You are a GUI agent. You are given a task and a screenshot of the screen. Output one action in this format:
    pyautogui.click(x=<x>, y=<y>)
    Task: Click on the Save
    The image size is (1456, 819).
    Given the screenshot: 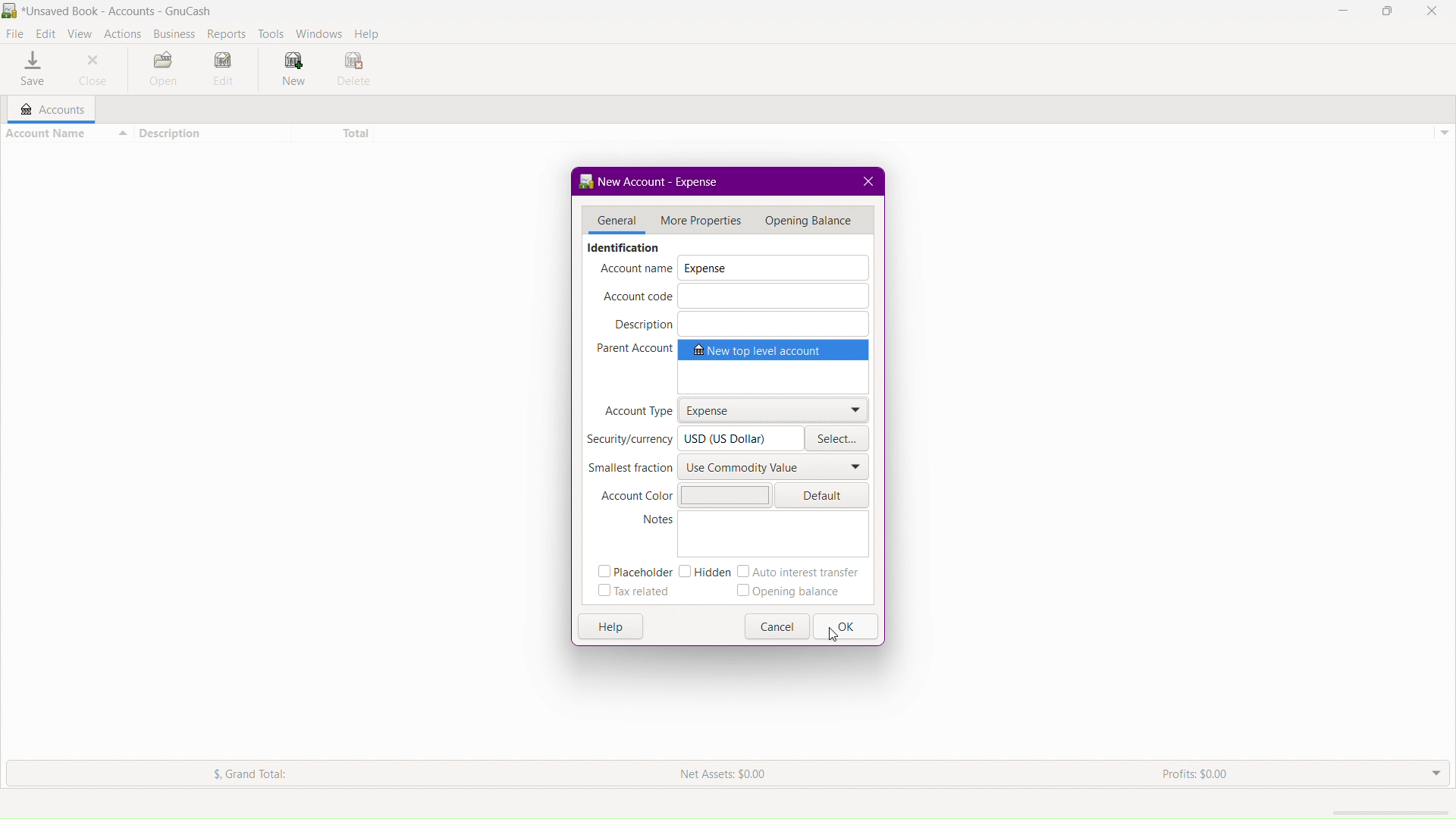 What is the action you would take?
    pyautogui.click(x=32, y=67)
    